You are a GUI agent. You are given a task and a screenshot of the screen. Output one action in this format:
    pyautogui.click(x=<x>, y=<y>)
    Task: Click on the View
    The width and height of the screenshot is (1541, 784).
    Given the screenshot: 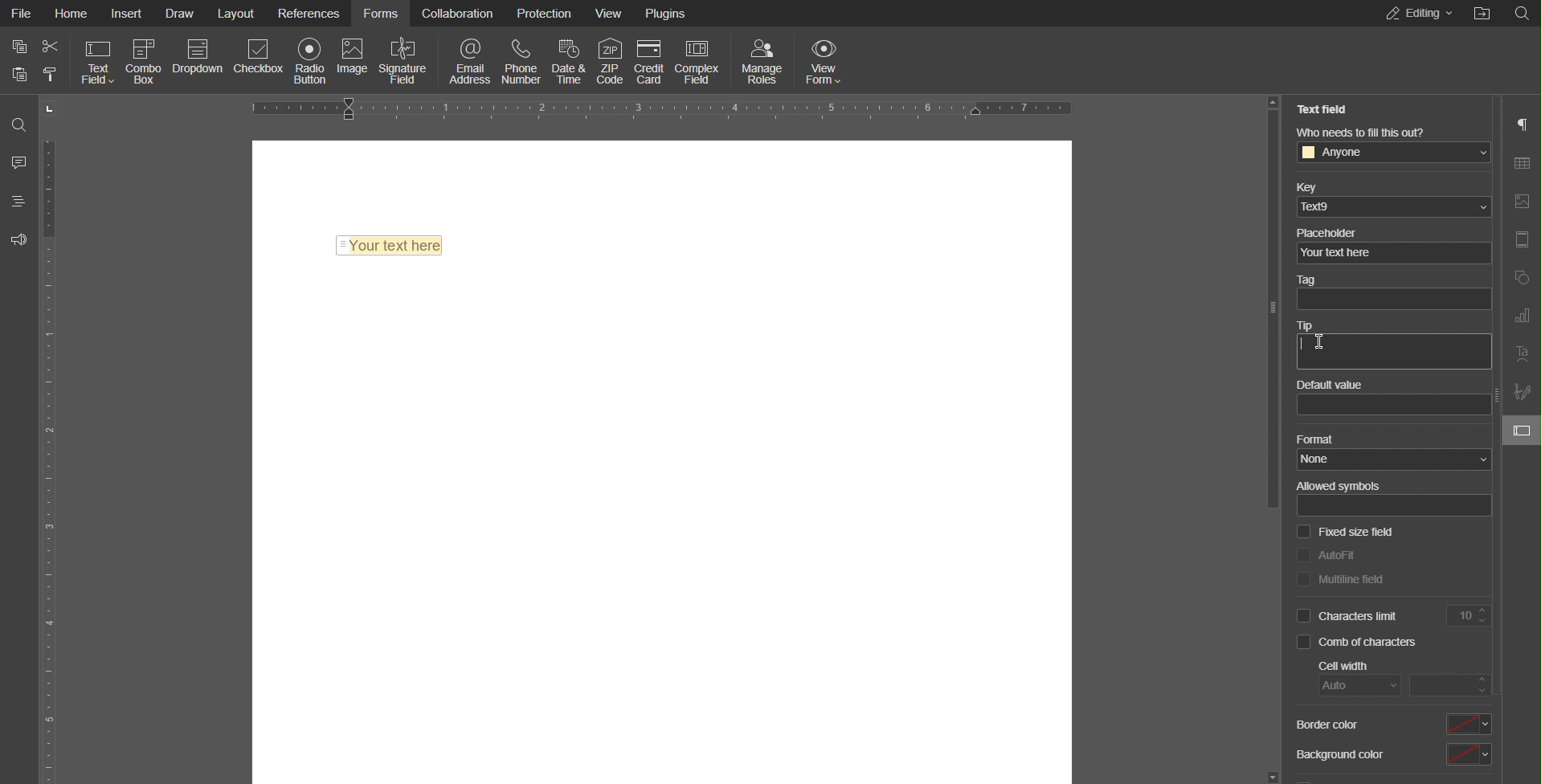 What is the action you would take?
    pyautogui.click(x=611, y=12)
    